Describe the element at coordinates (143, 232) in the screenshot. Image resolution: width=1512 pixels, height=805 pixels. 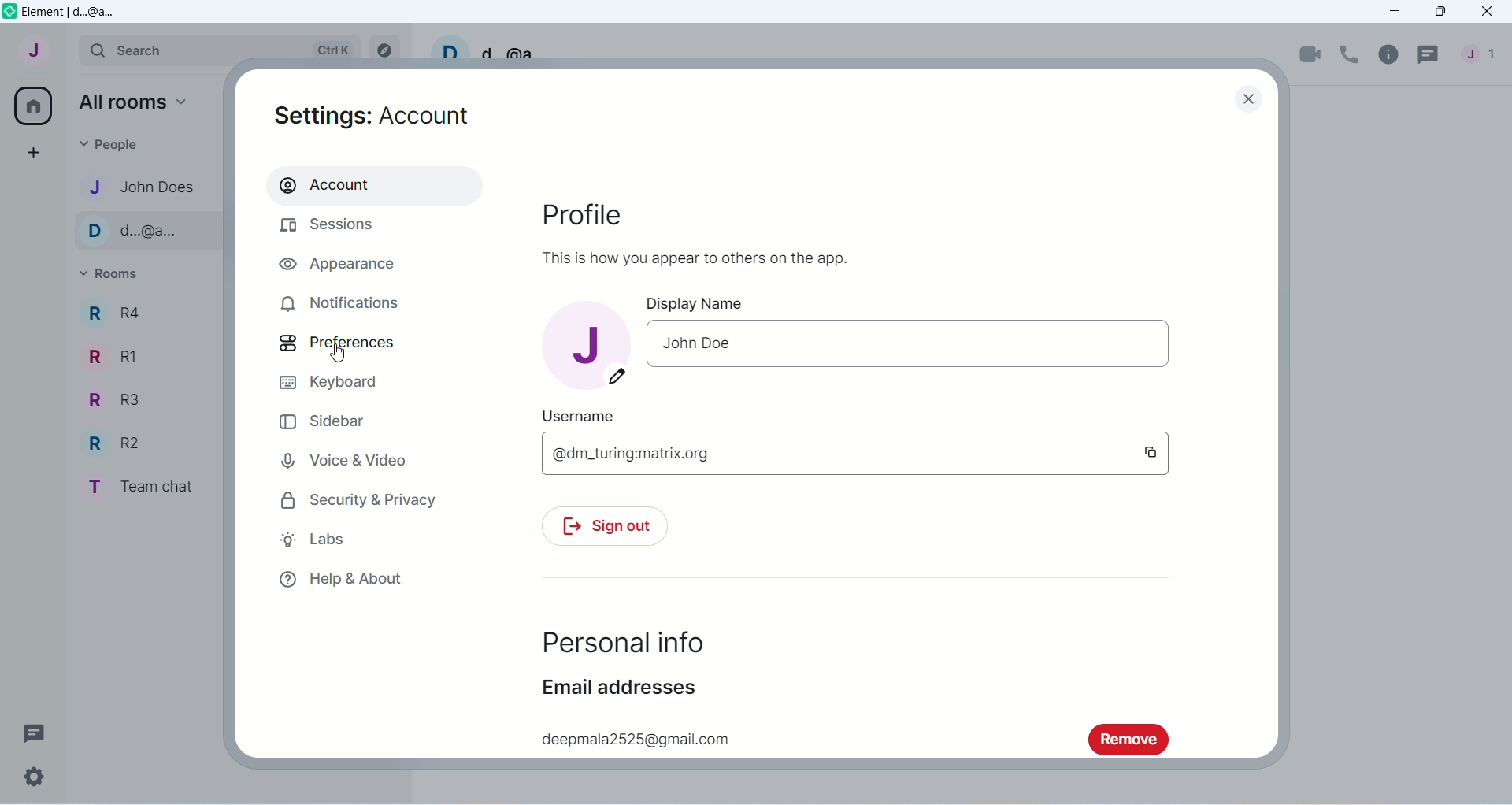
I see `Contact name-d..@a` at that location.